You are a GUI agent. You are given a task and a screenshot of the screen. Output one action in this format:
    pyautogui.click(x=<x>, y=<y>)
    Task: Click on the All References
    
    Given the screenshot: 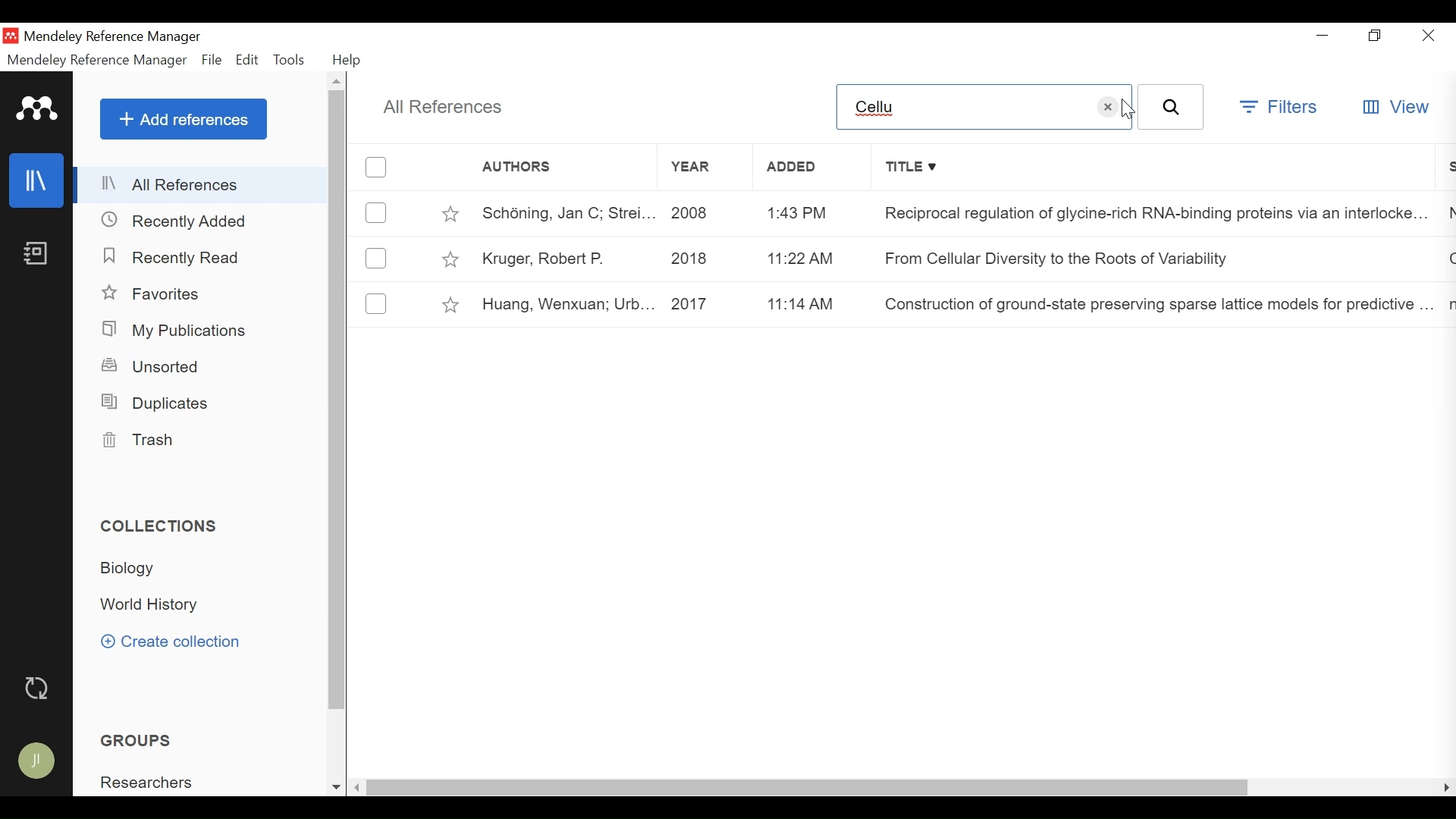 What is the action you would take?
    pyautogui.click(x=201, y=184)
    